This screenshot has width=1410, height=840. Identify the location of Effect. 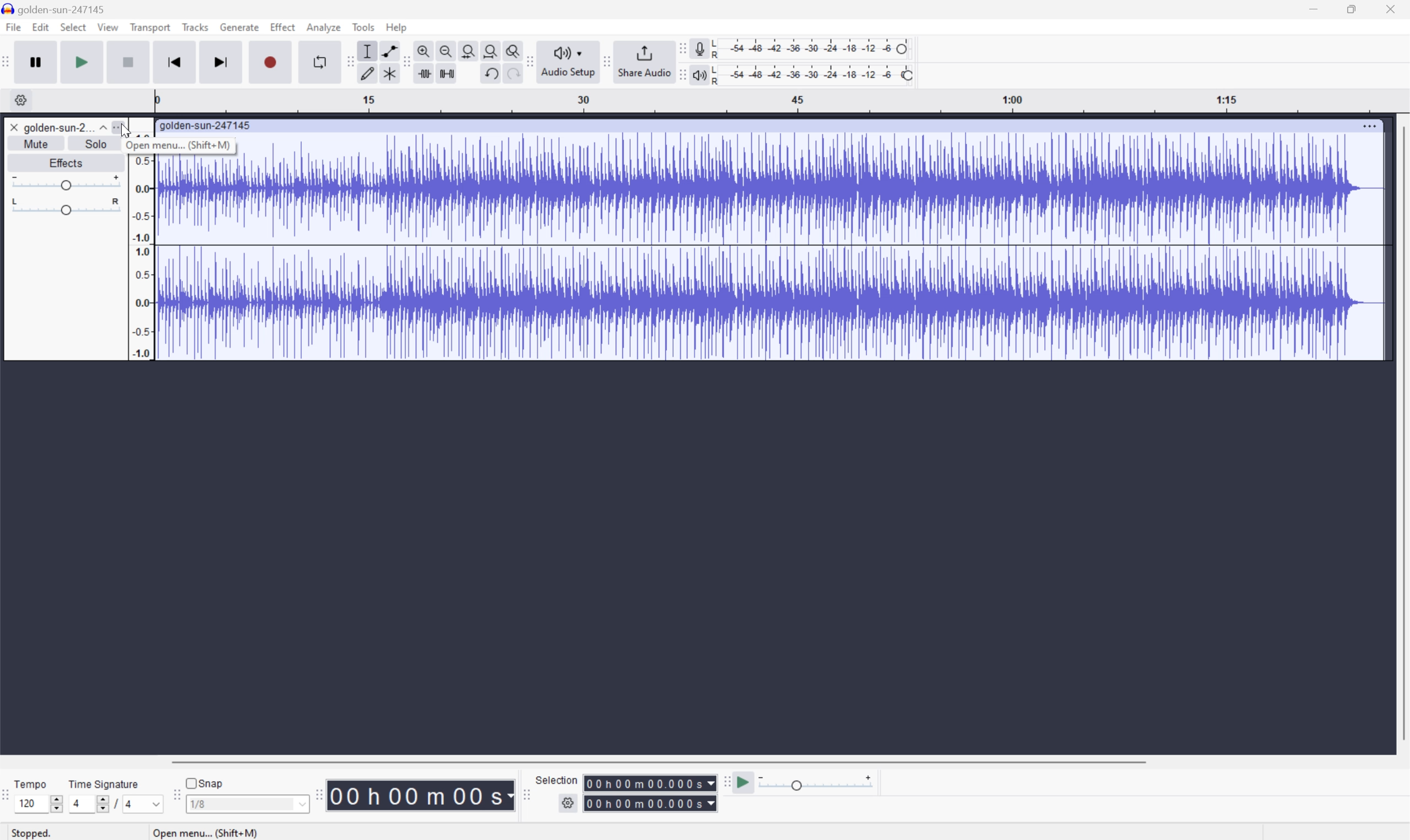
(283, 28).